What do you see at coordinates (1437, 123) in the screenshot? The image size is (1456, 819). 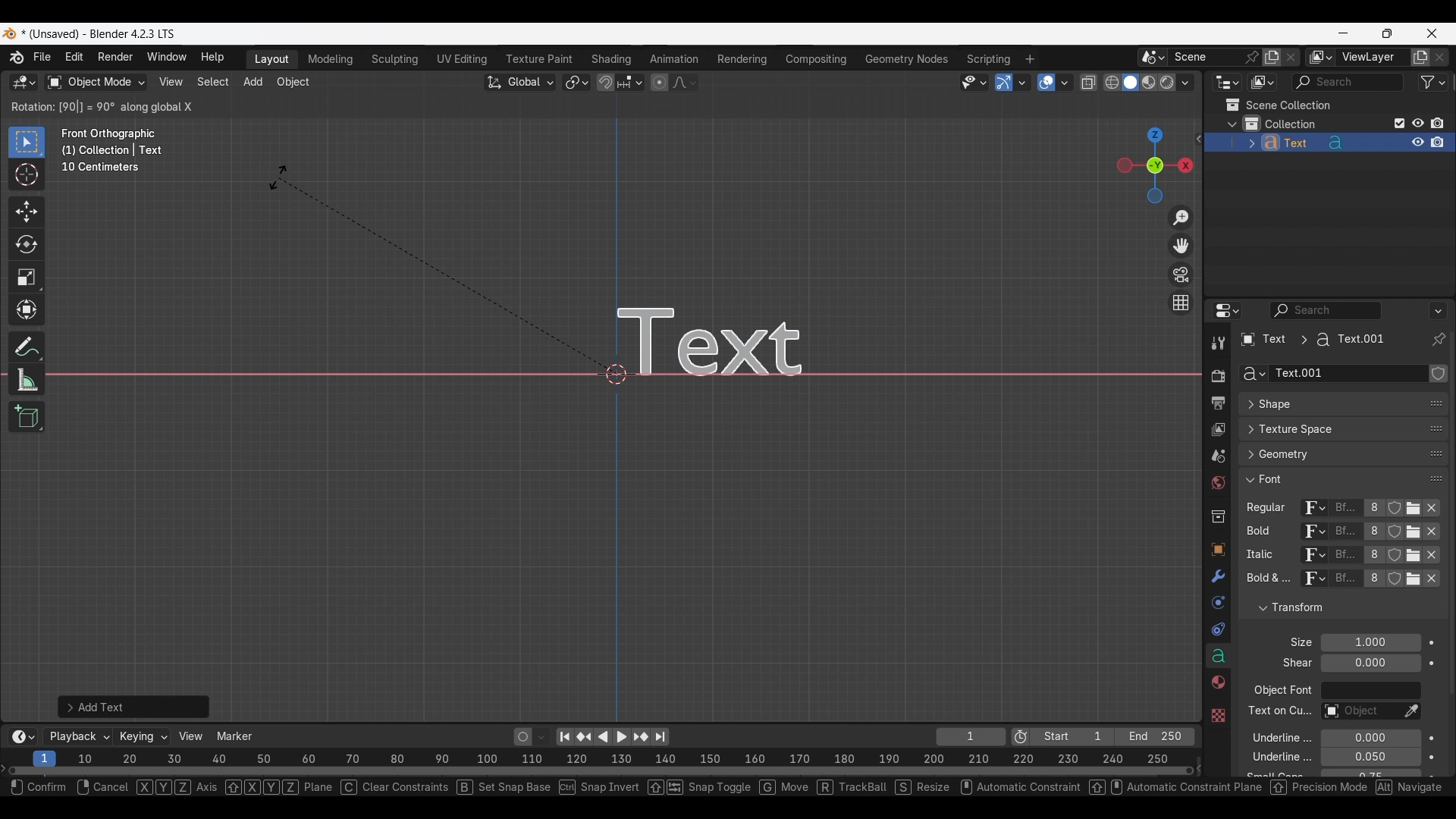 I see `Disable in renders` at bounding box center [1437, 123].